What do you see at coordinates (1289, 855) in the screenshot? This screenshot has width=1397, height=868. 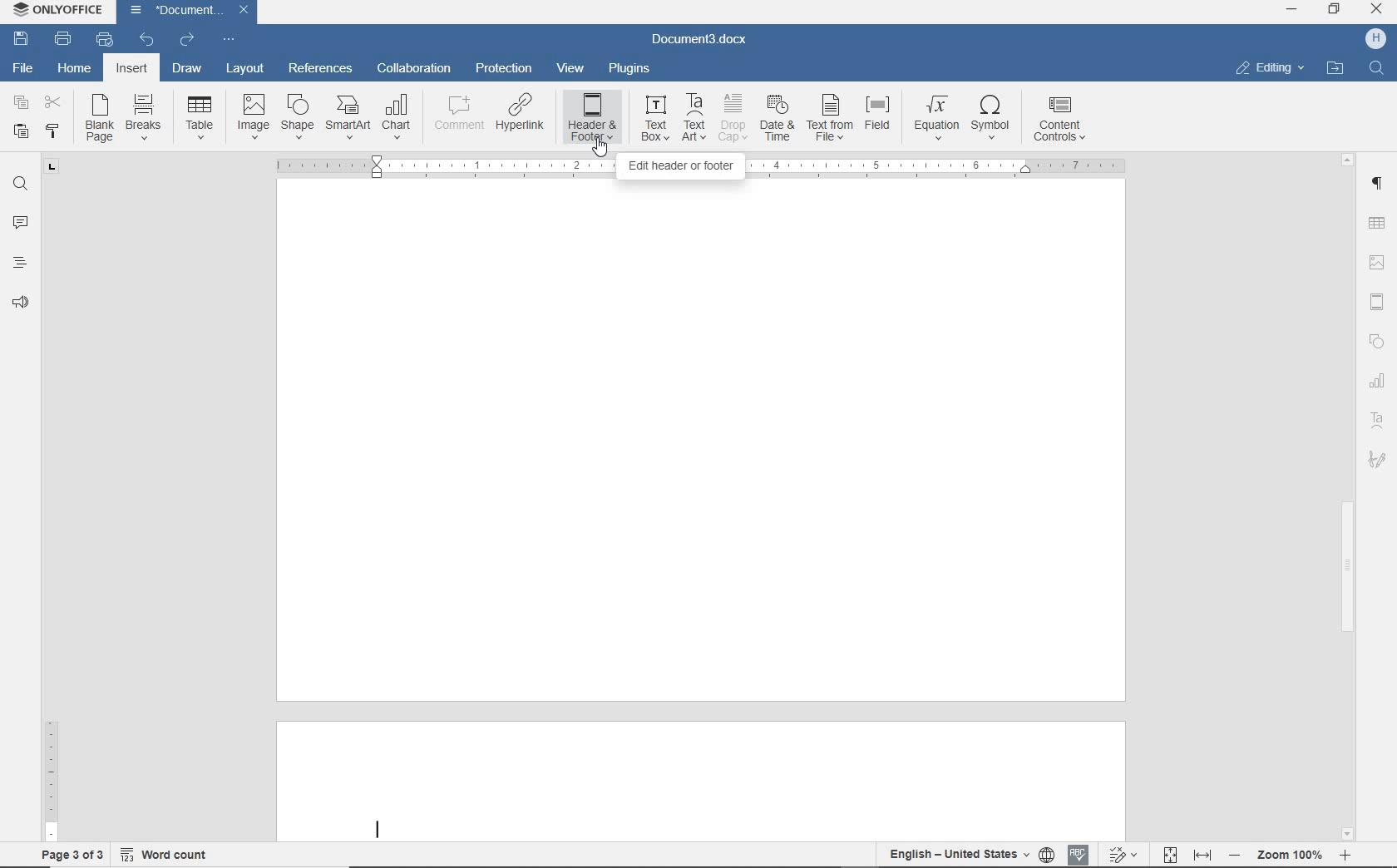 I see `Zoom 100%` at bounding box center [1289, 855].